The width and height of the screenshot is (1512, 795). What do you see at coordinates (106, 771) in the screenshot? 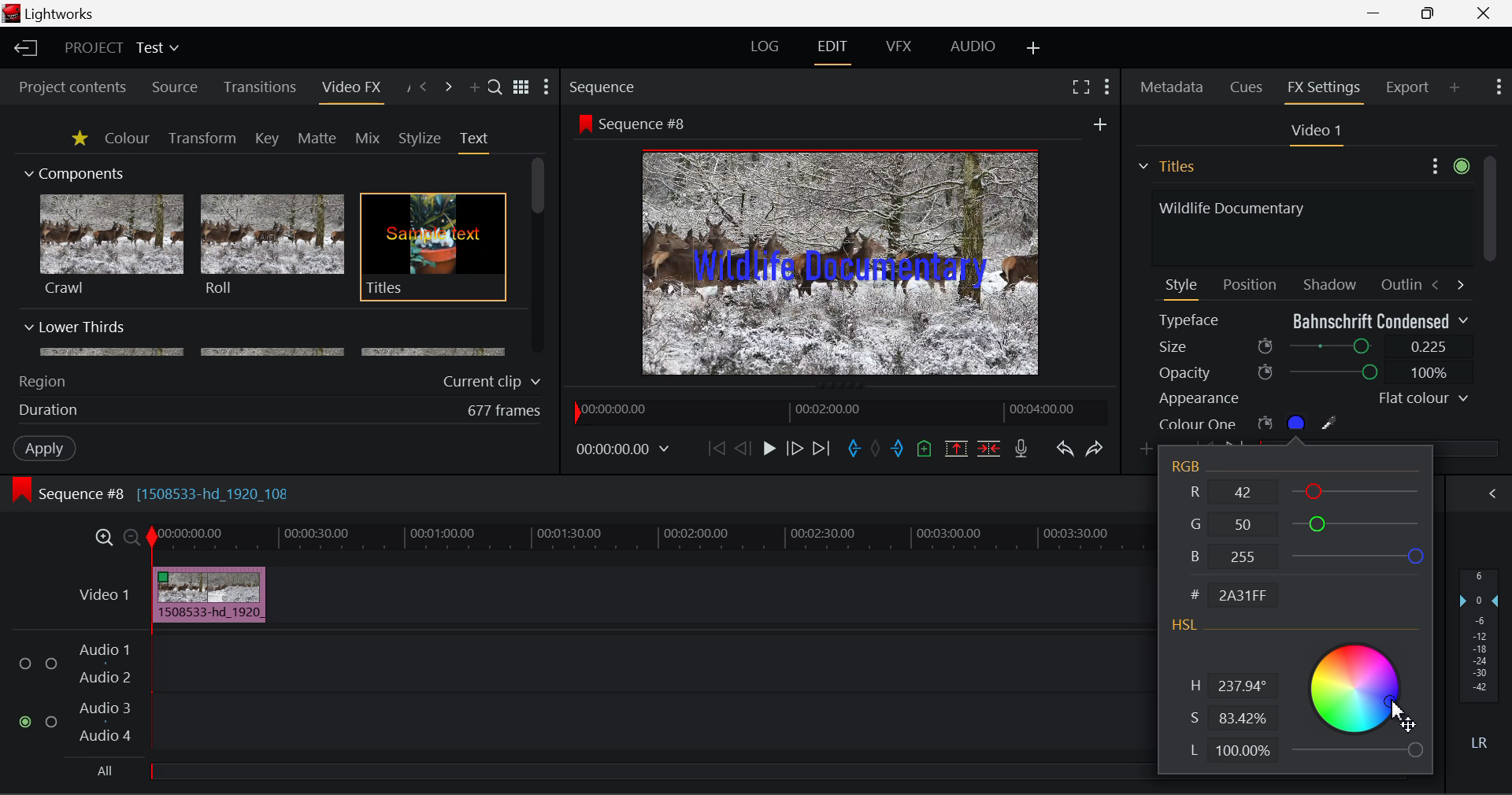
I see `All` at bounding box center [106, 771].